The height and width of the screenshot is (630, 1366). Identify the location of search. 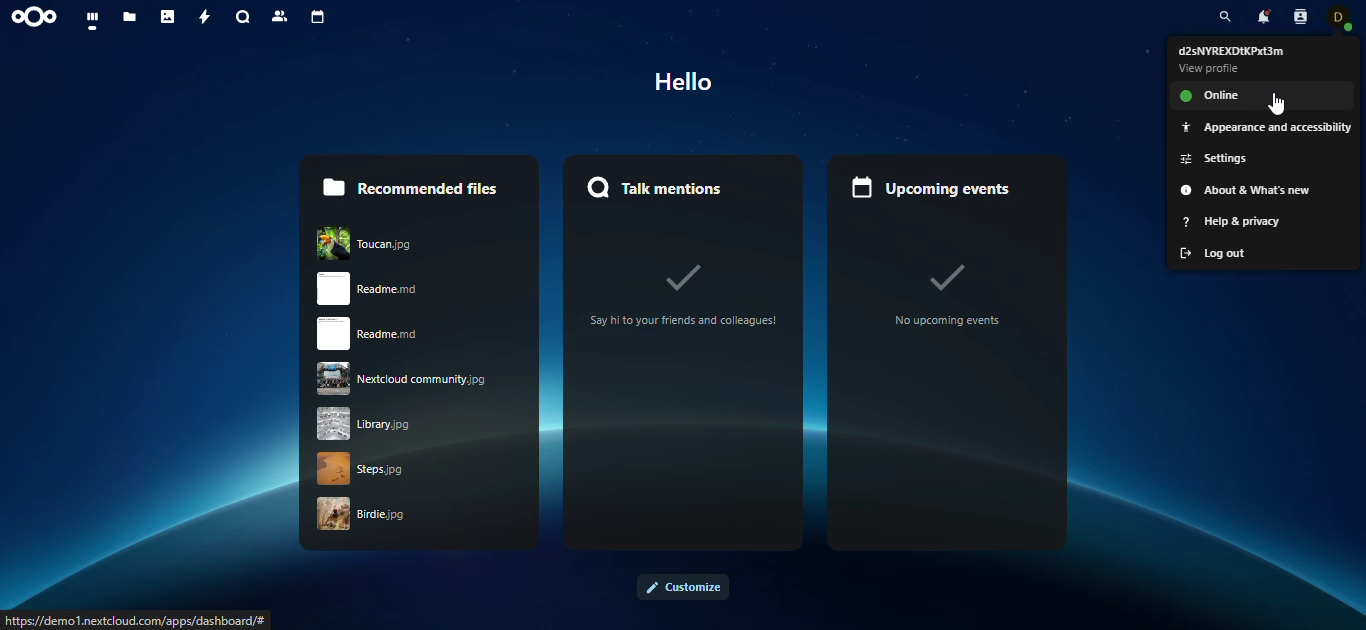
(244, 19).